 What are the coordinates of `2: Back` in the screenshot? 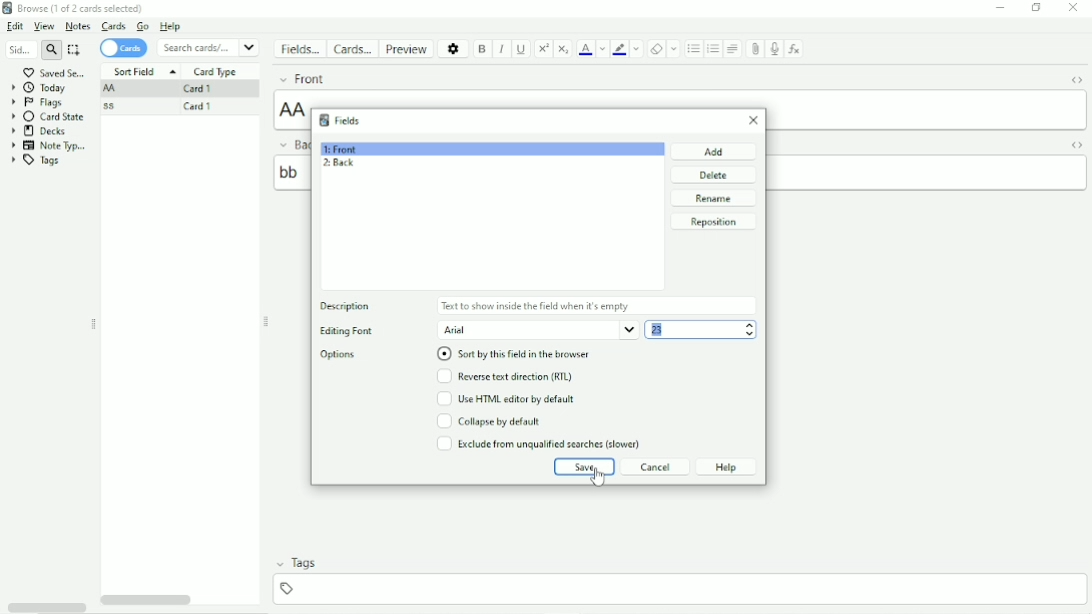 It's located at (338, 163).